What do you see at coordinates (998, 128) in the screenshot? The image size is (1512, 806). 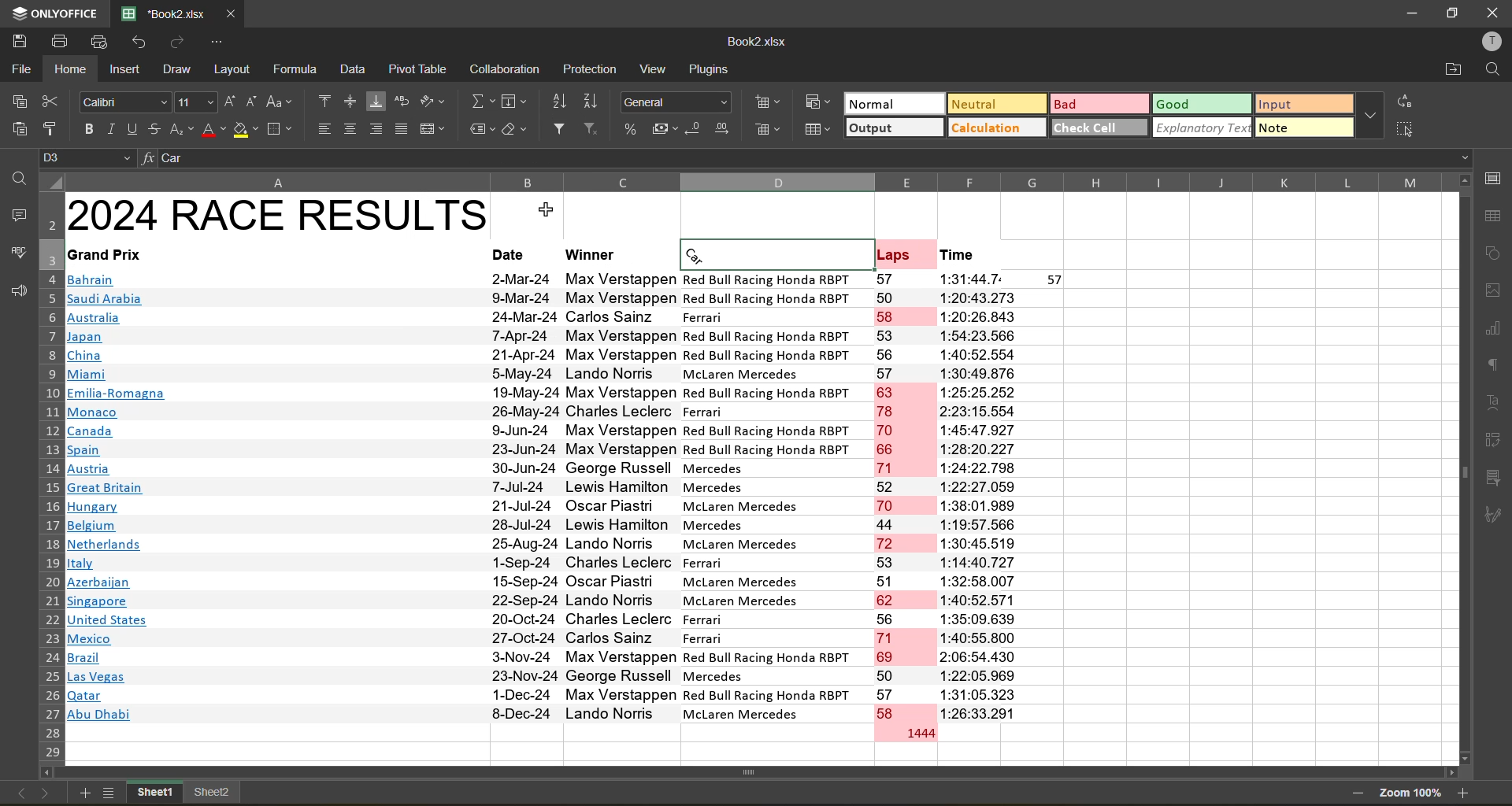 I see `calculation` at bounding box center [998, 128].